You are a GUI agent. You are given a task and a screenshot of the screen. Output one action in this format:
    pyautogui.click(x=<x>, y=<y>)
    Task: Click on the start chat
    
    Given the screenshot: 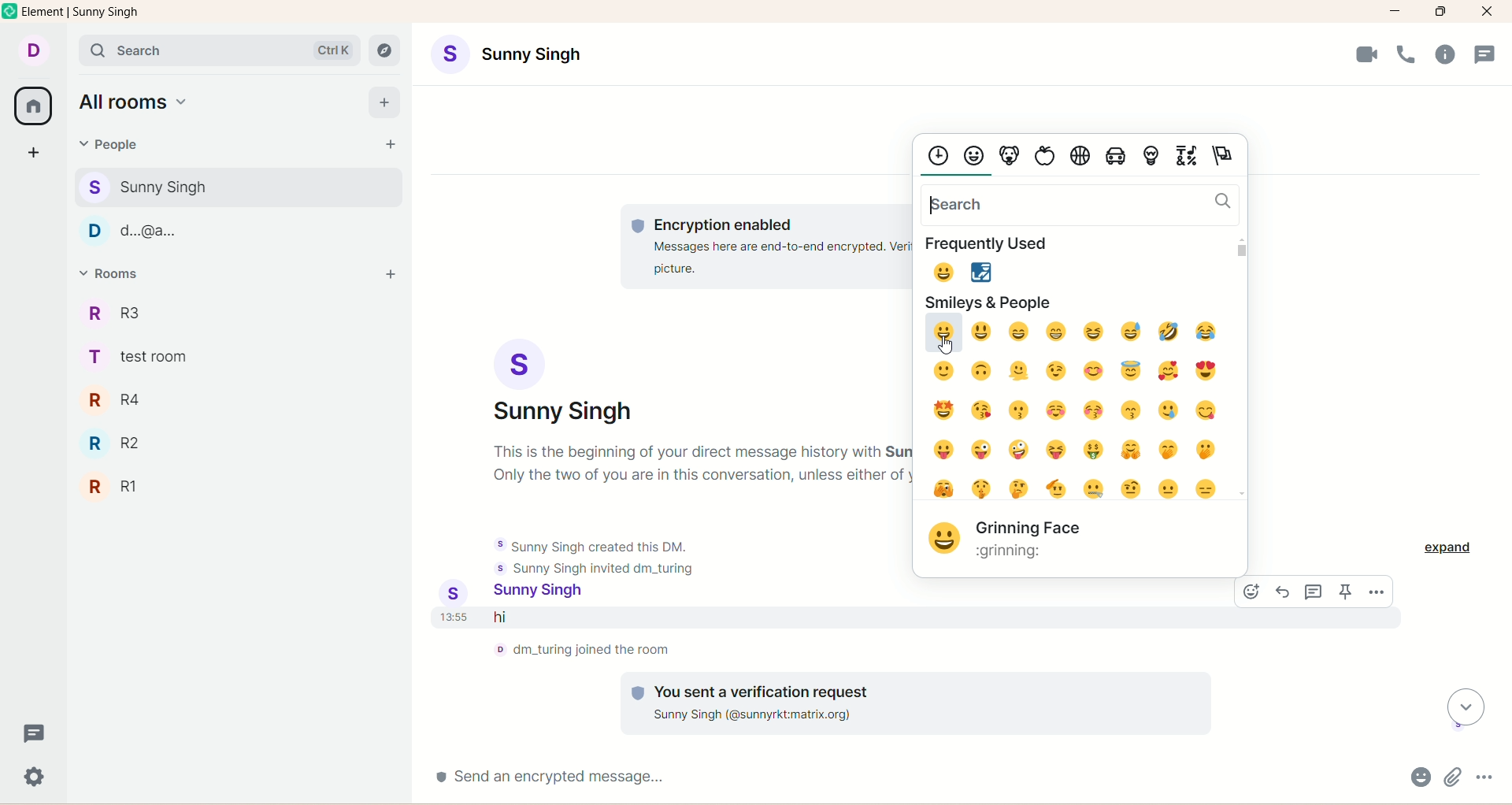 What is the action you would take?
    pyautogui.click(x=389, y=144)
    